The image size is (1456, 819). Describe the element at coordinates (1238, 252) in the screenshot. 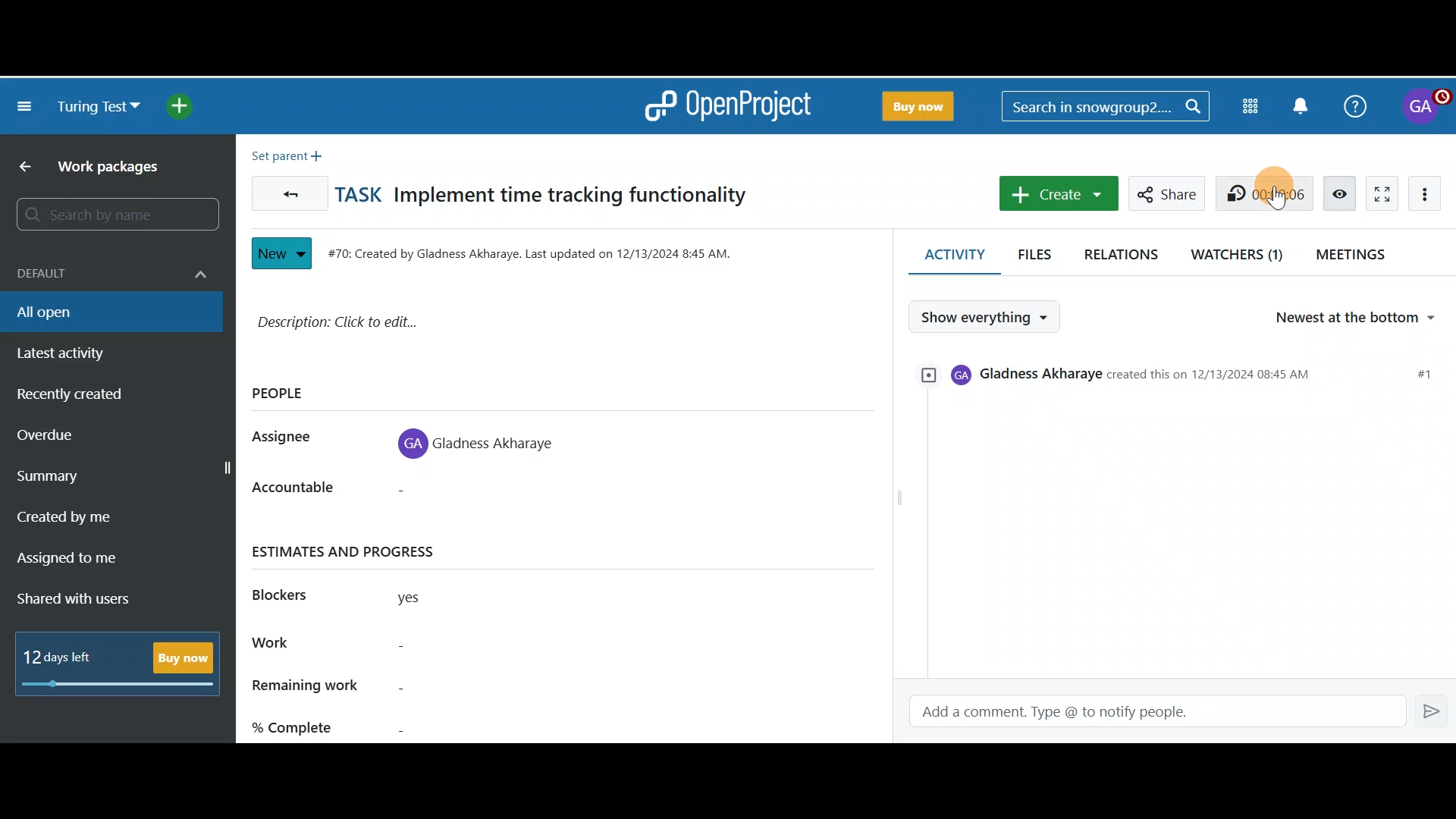

I see `Watchers` at that location.